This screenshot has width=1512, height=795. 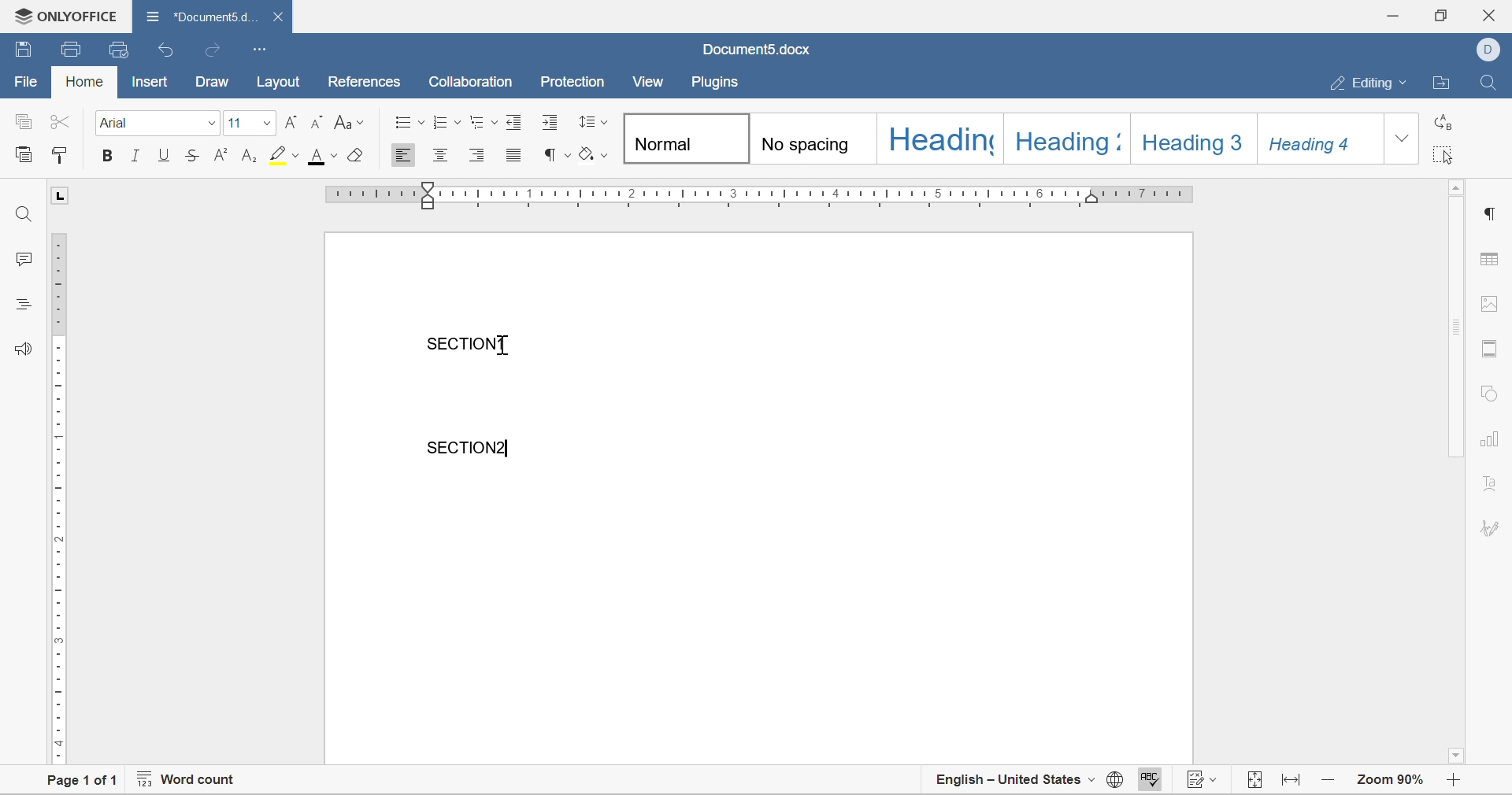 I want to click on drop down, so click(x=1402, y=139).